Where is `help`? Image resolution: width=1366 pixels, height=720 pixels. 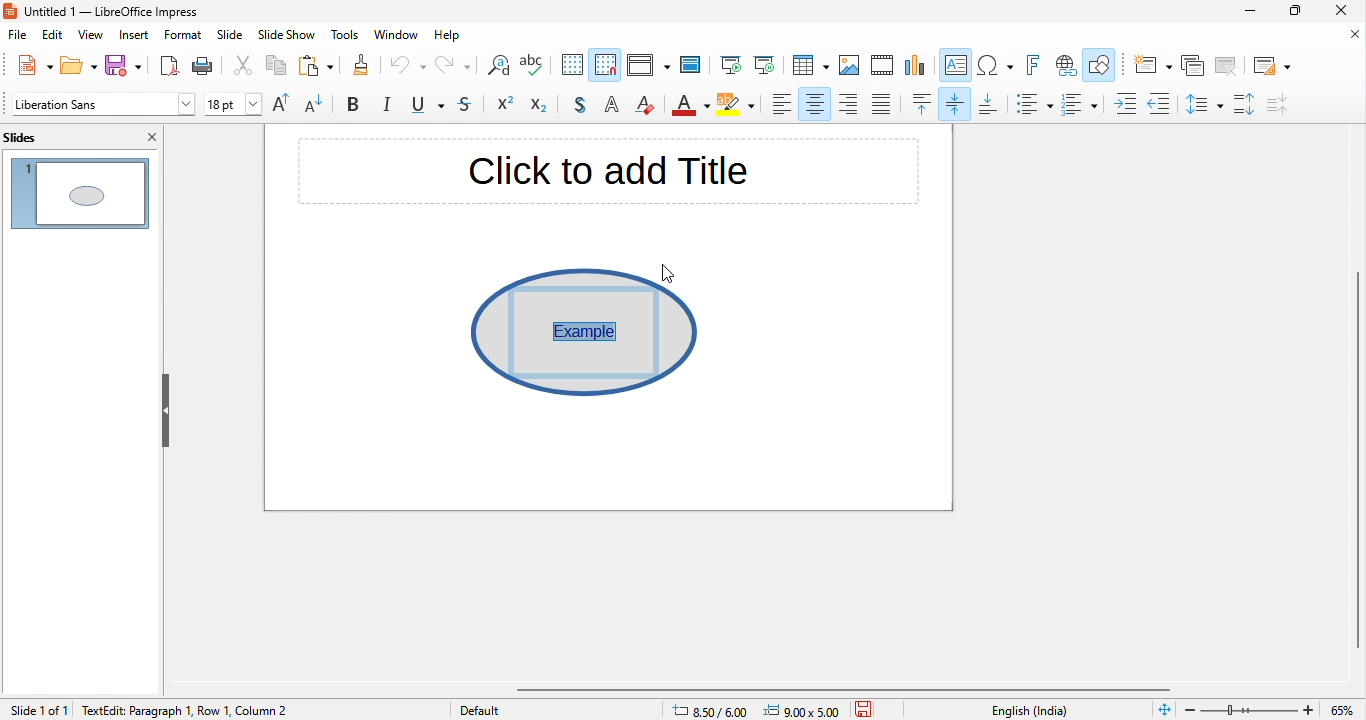 help is located at coordinates (454, 37).